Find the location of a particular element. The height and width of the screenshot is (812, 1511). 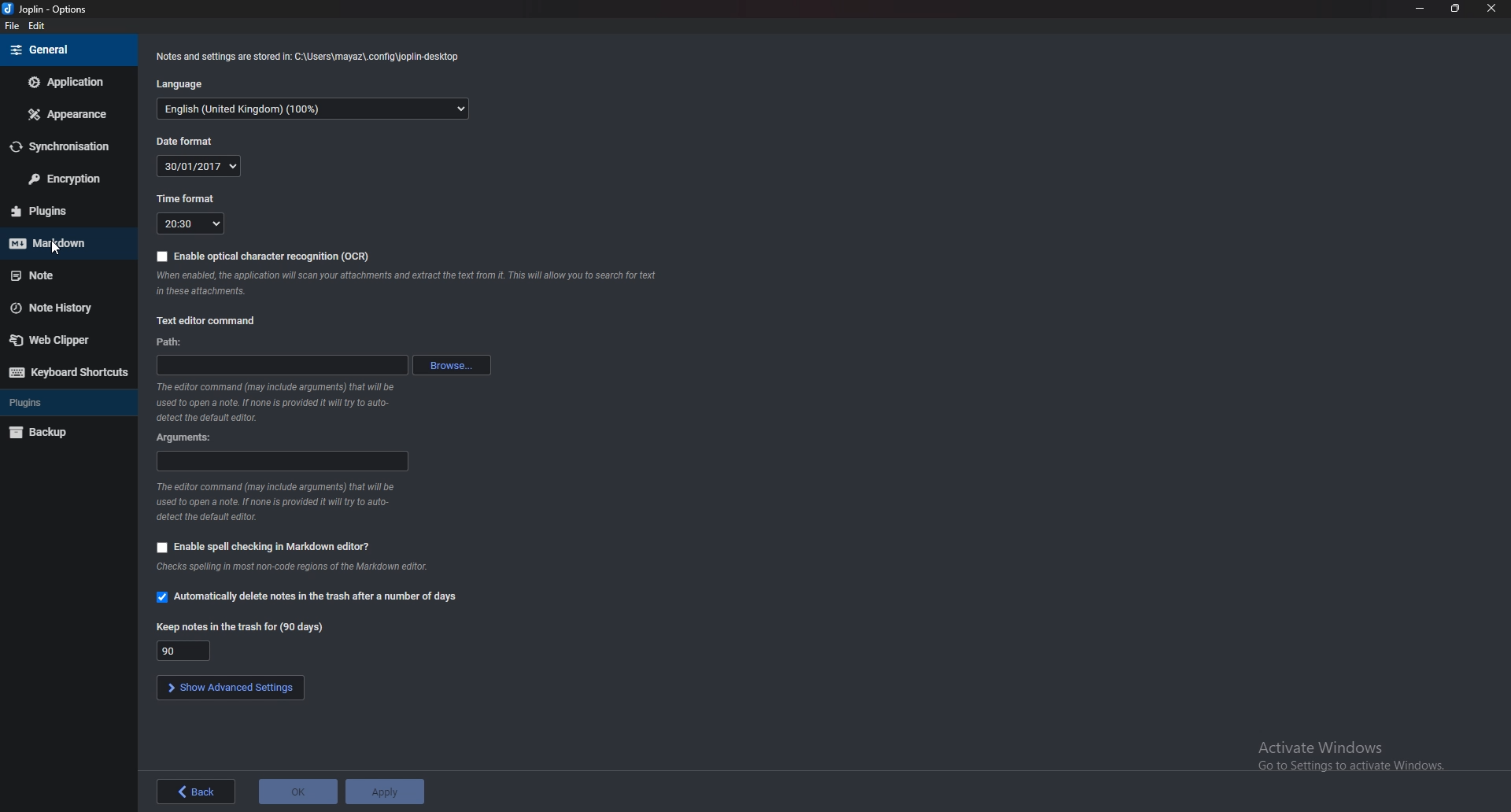

General is located at coordinates (65, 50).